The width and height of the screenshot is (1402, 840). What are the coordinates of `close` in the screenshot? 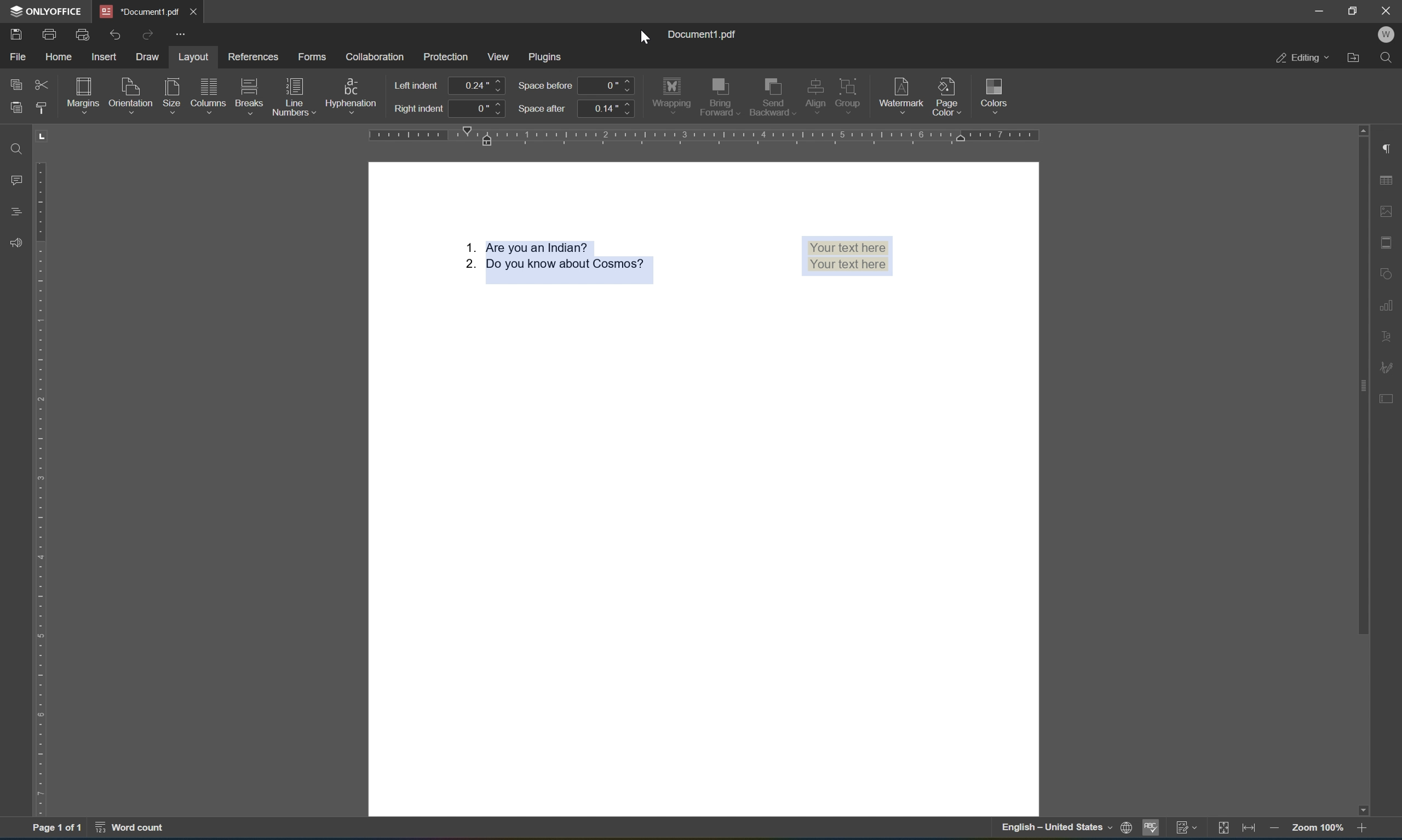 It's located at (194, 10).